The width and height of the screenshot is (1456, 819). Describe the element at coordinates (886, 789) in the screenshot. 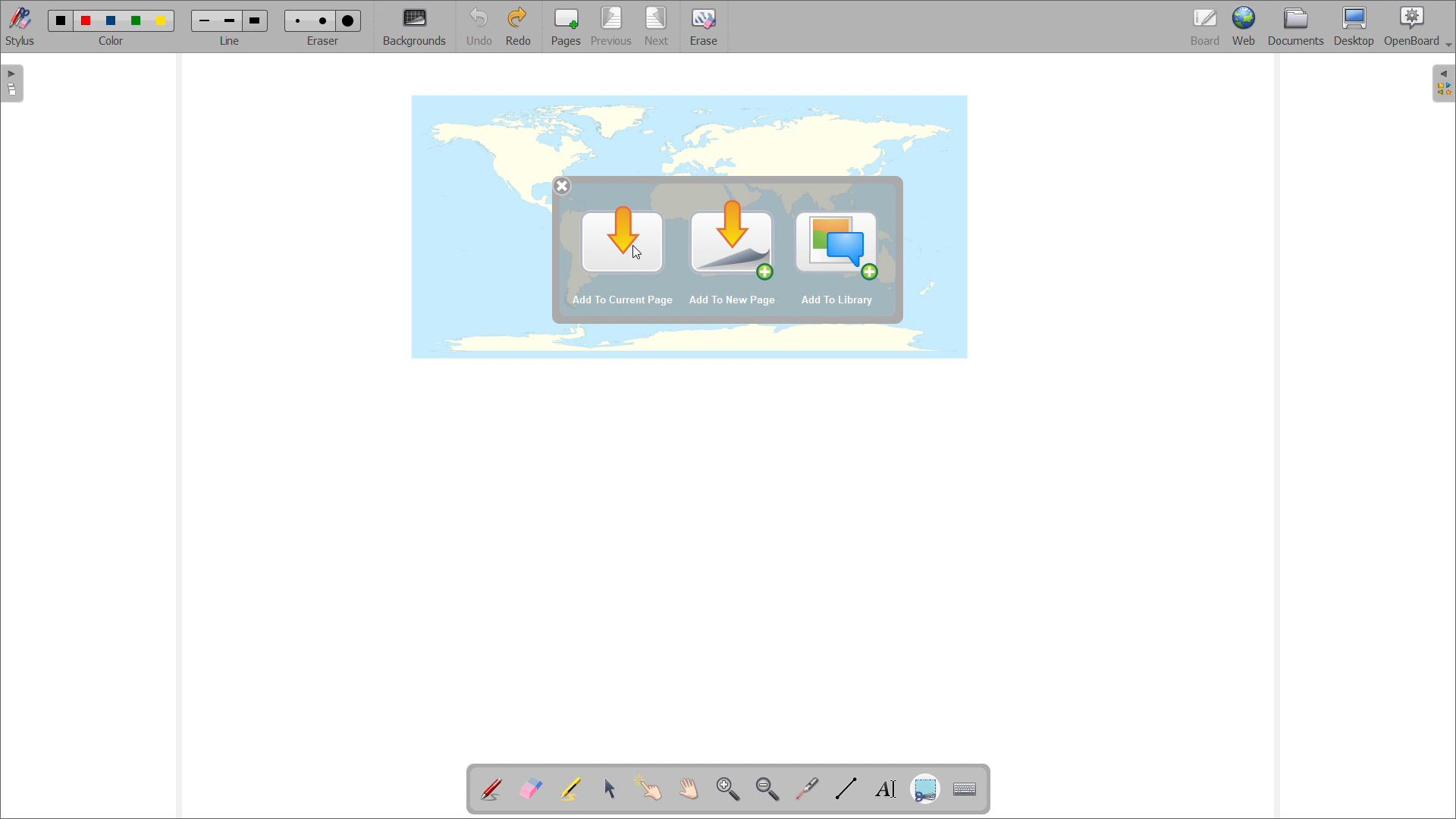

I see `write text` at that location.